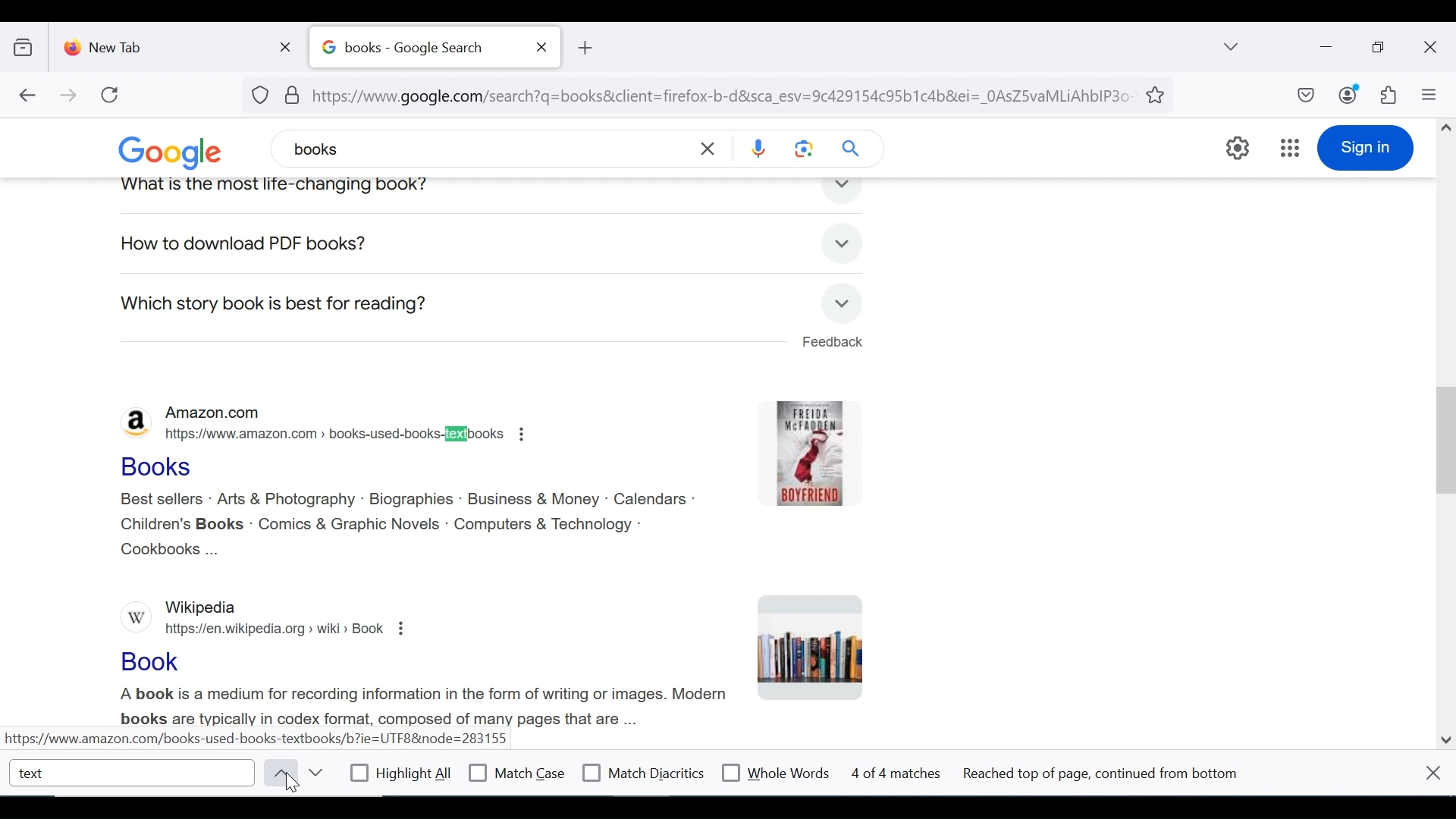  Describe the element at coordinates (1289, 148) in the screenshot. I see `google apps` at that location.